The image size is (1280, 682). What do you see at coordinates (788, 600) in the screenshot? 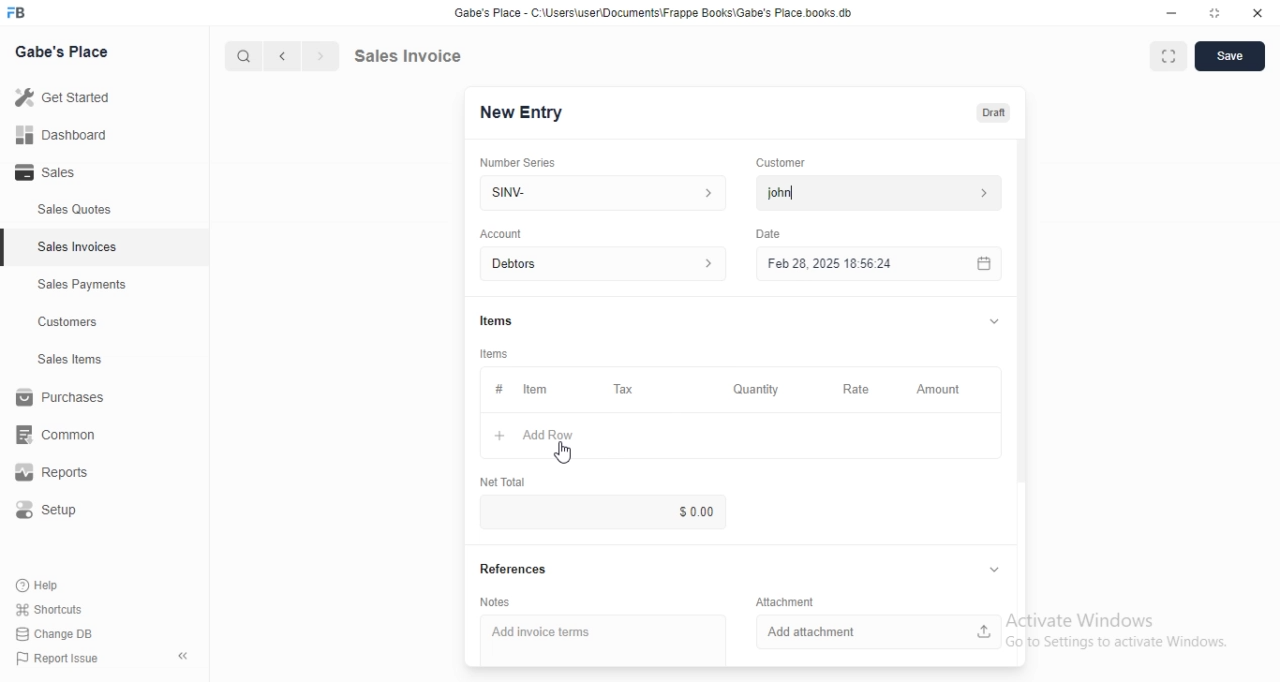
I see `` at bounding box center [788, 600].